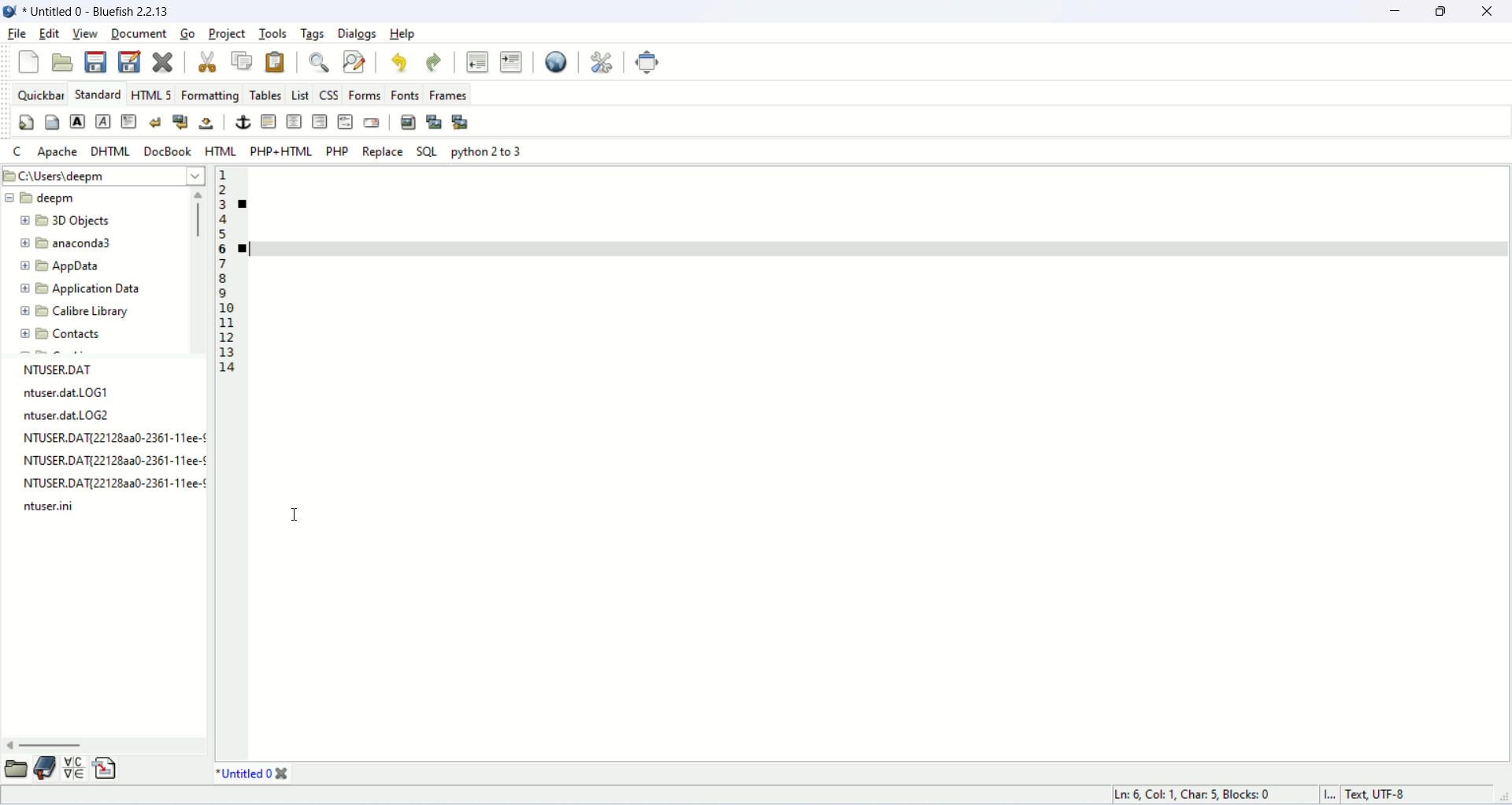 This screenshot has width=1512, height=805. Describe the element at coordinates (206, 122) in the screenshot. I see `non breaking space` at that location.